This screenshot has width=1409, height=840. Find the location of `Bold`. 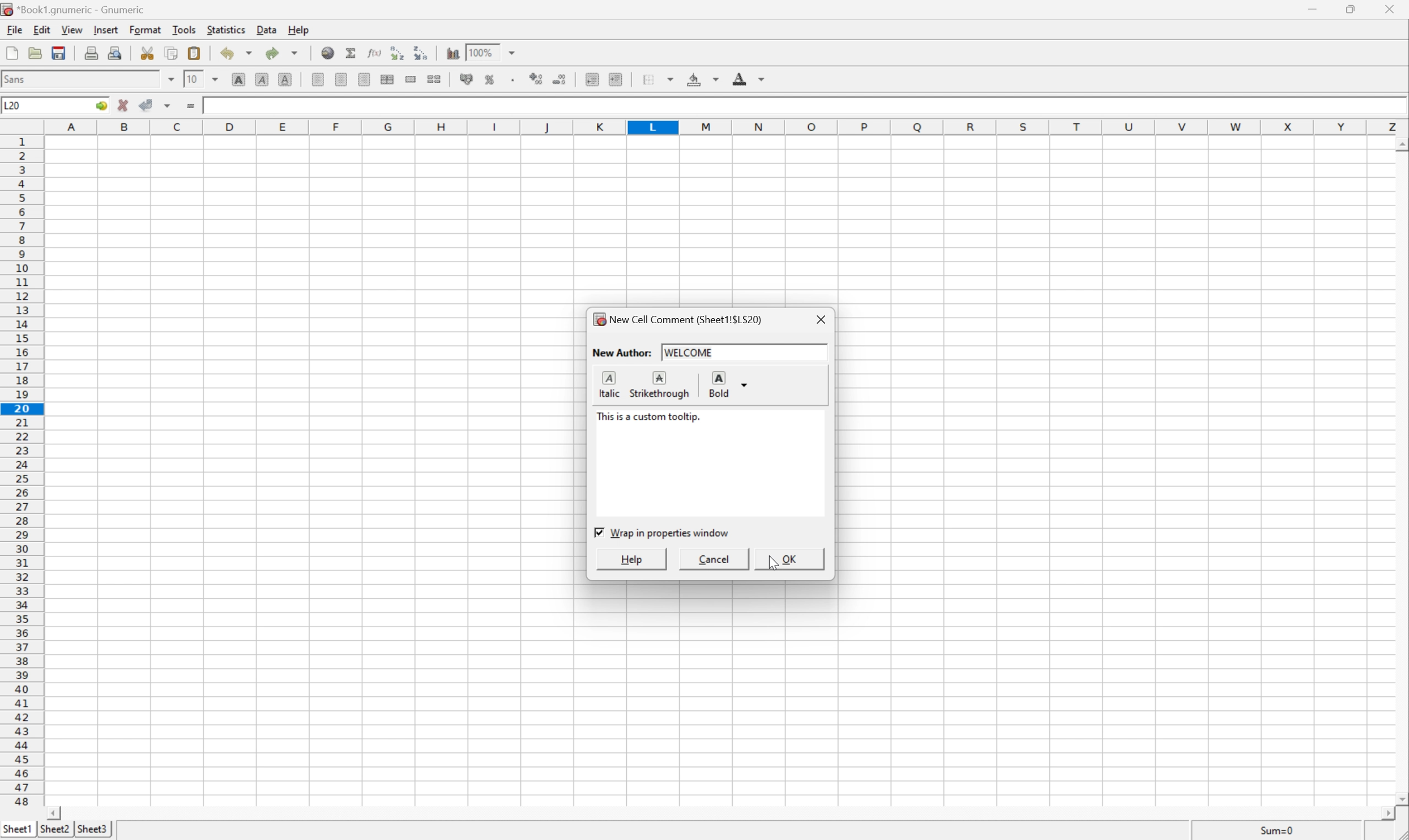

Bold is located at coordinates (237, 79).